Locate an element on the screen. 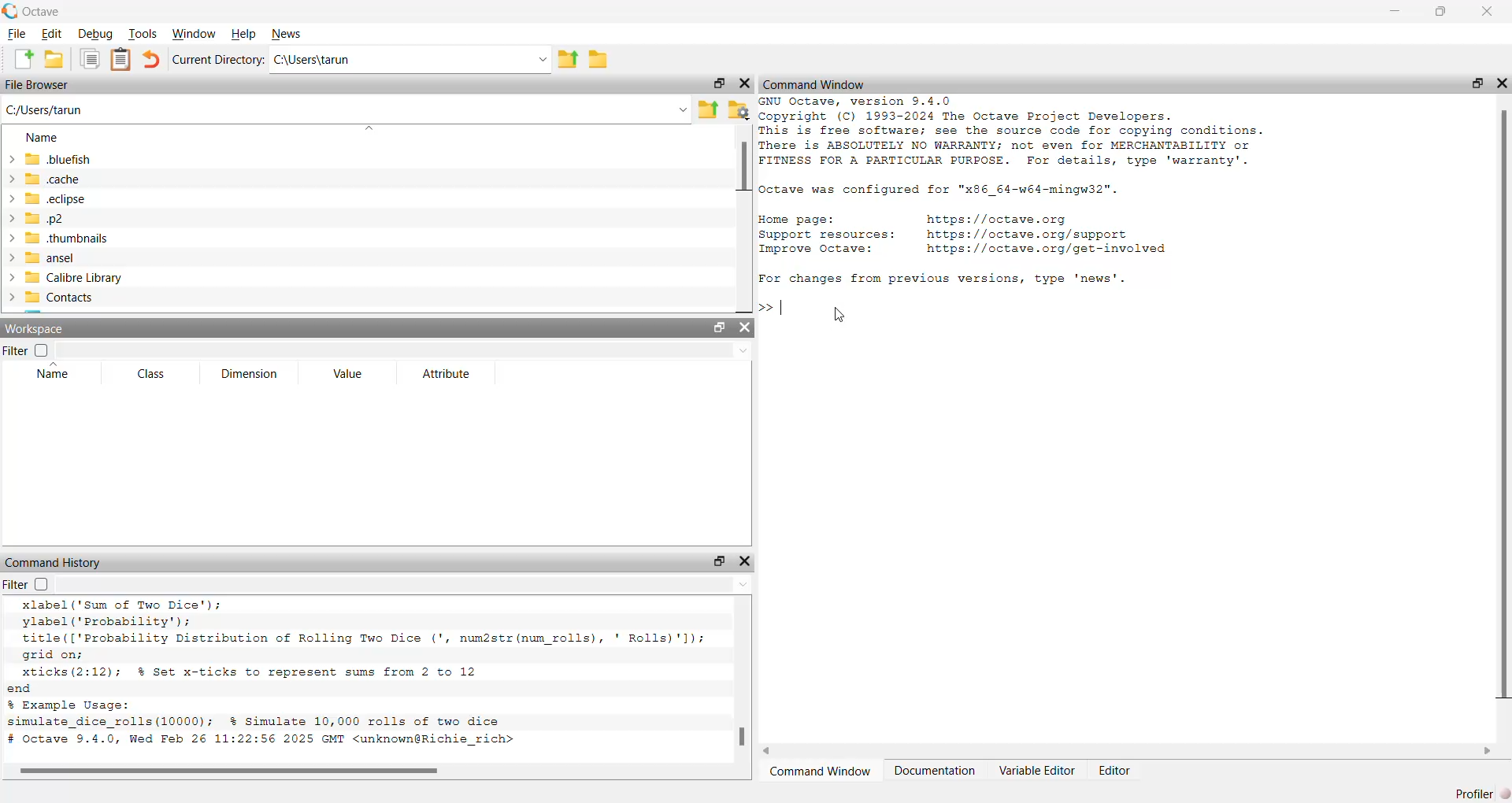  Create a folder is located at coordinates (601, 60).